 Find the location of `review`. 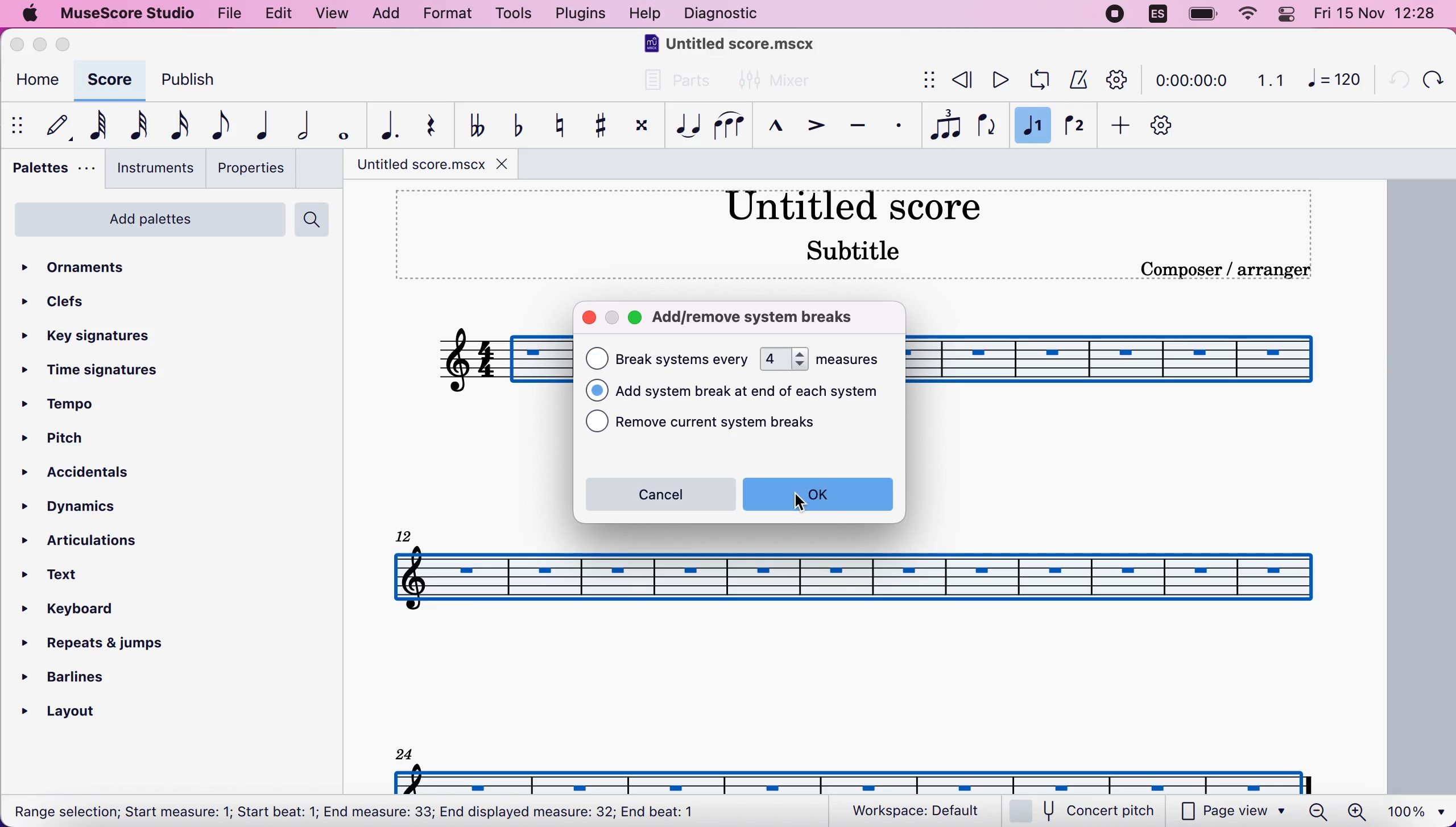

review is located at coordinates (963, 80).